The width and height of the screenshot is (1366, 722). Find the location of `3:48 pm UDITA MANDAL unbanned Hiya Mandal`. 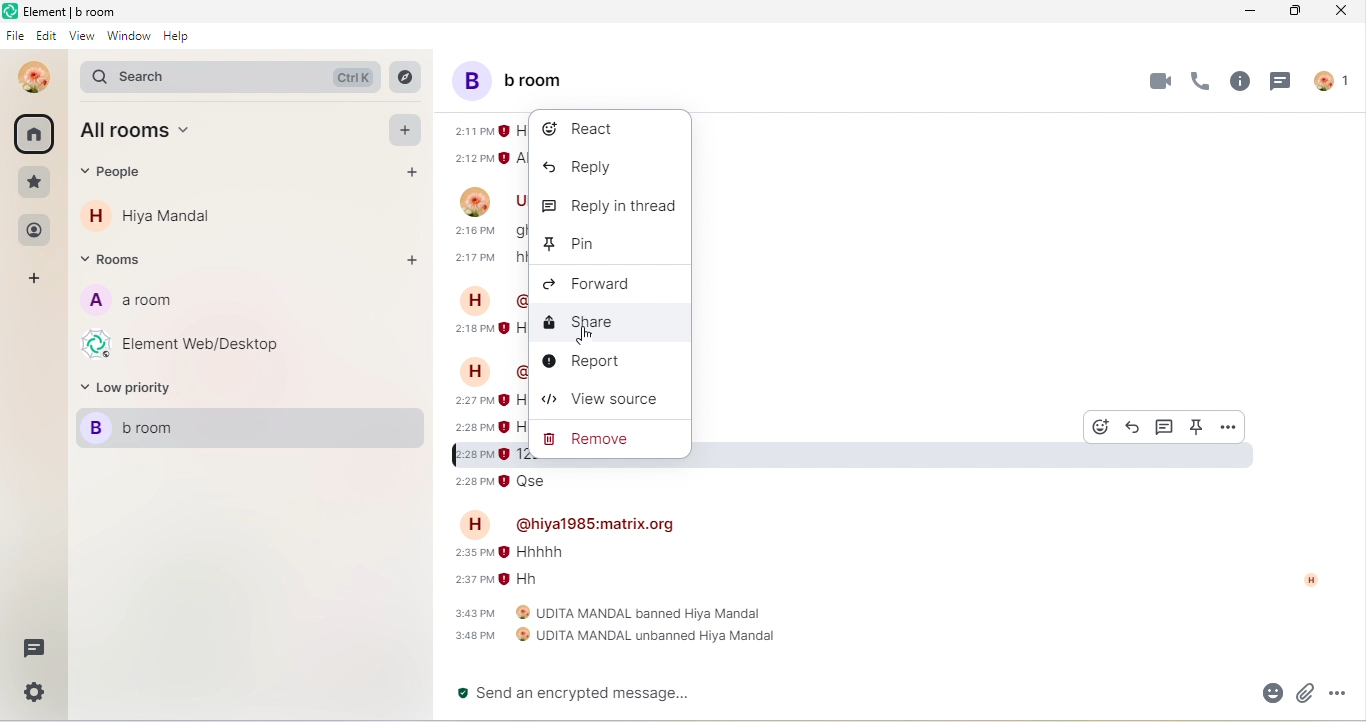

3:48 pm UDITA MANDAL unbanned Hiya Mandal is located at coordinates (615, 636).